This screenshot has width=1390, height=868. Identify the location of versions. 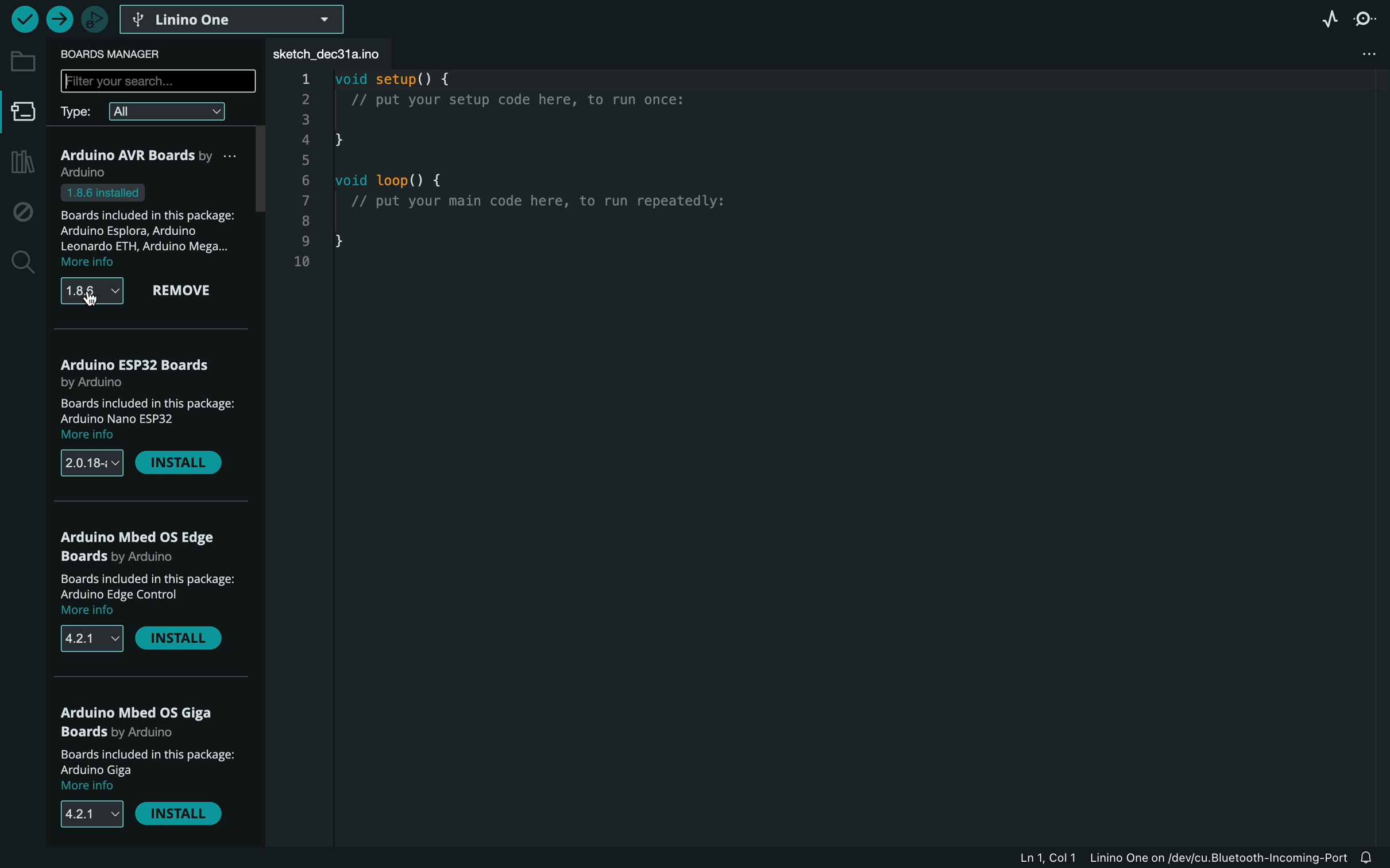
(91, 292).